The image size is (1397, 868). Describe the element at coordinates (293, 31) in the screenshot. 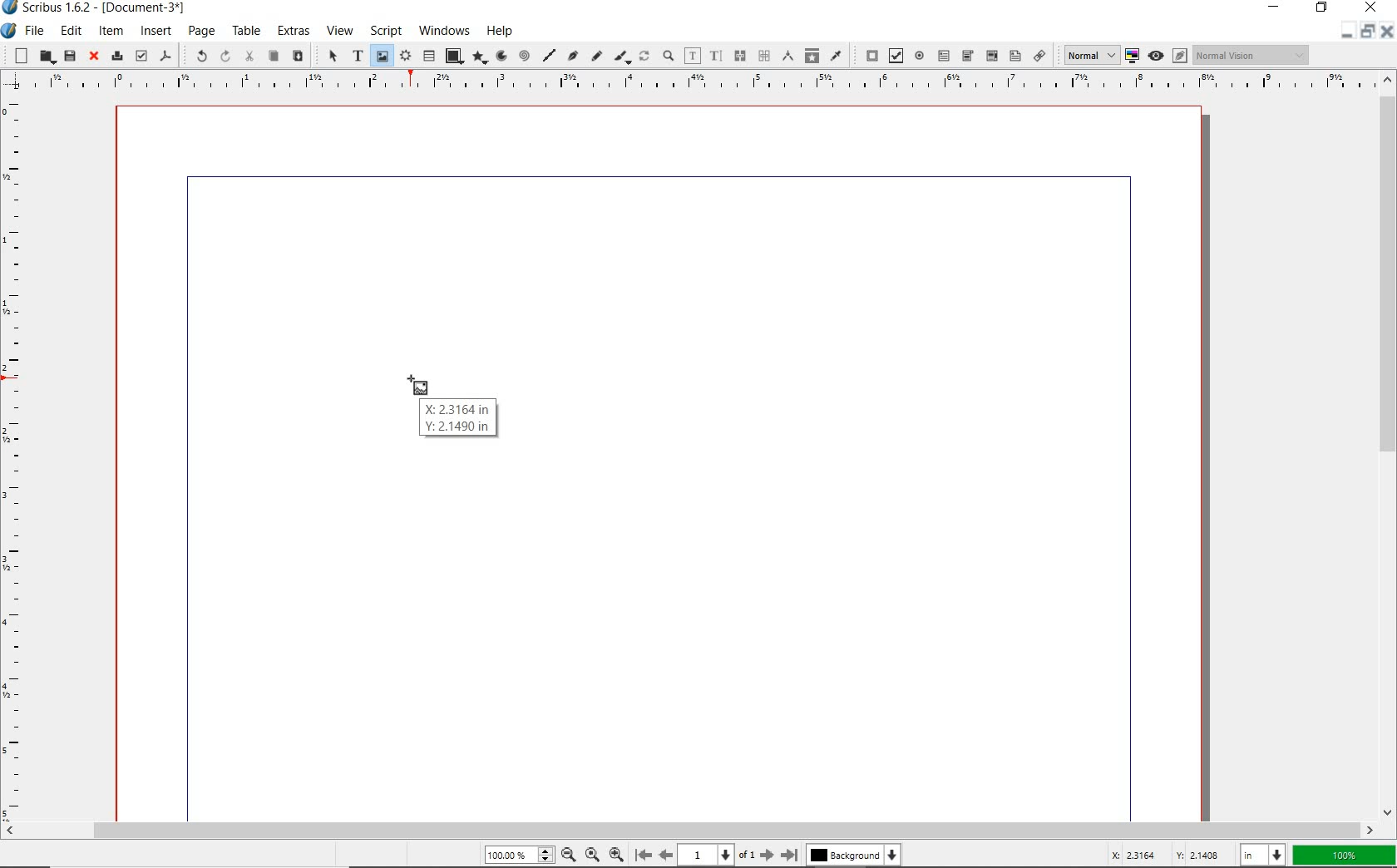

I see `EXTRAS` at that location.